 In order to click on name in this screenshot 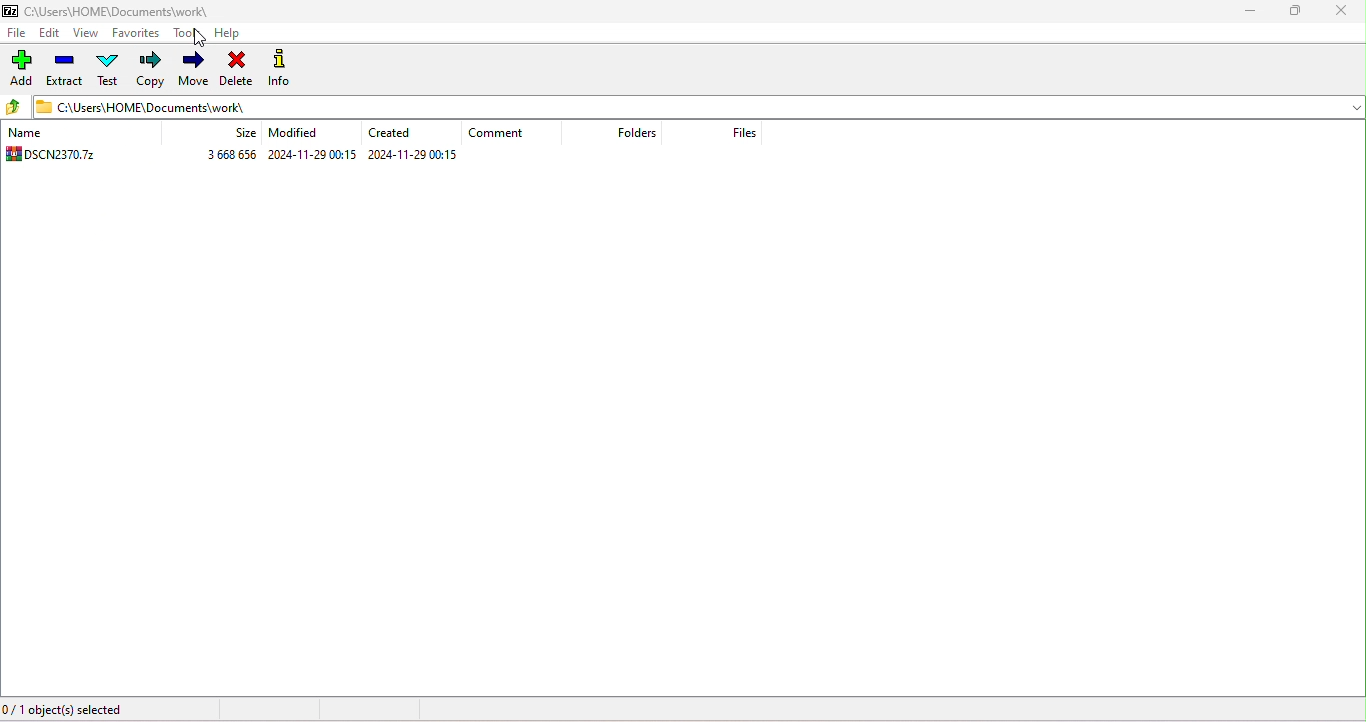, I will do `click(28, 133)`.